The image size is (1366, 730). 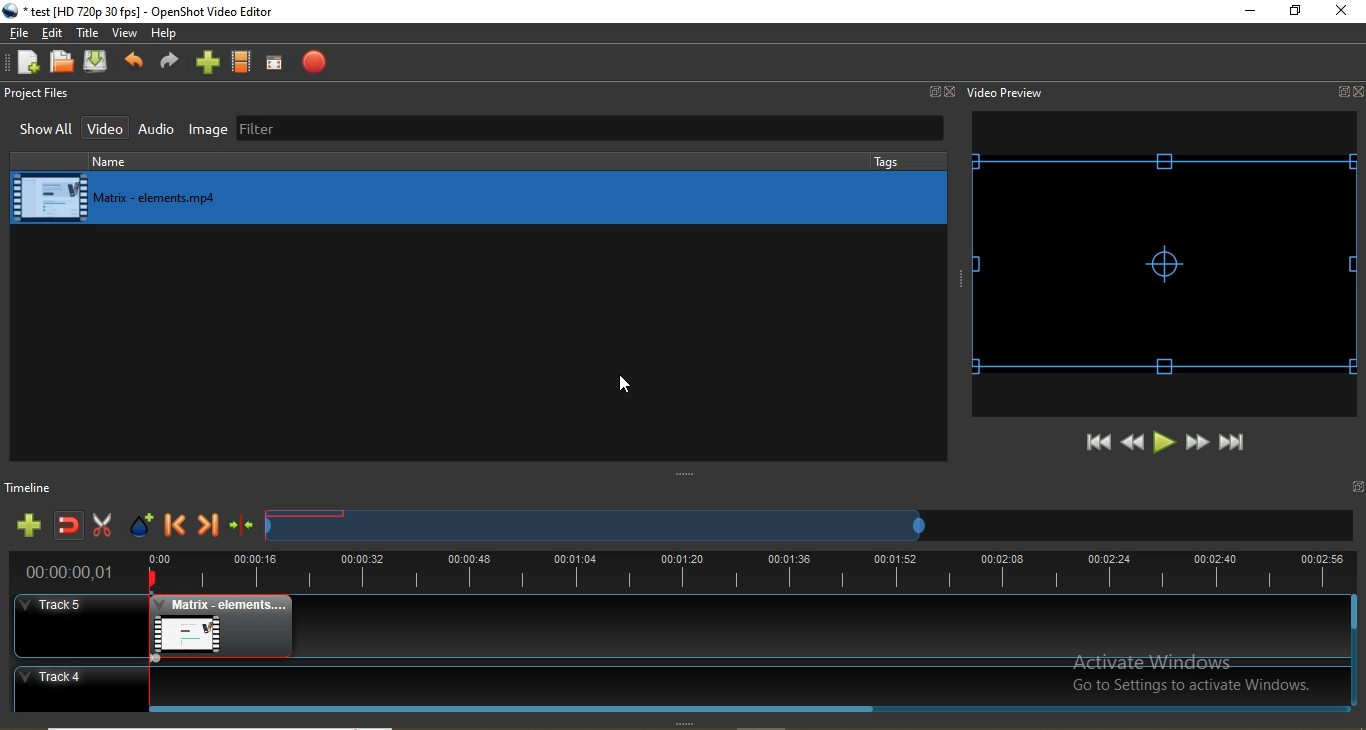 I want to click on Project files, so click(x=42, y=94).